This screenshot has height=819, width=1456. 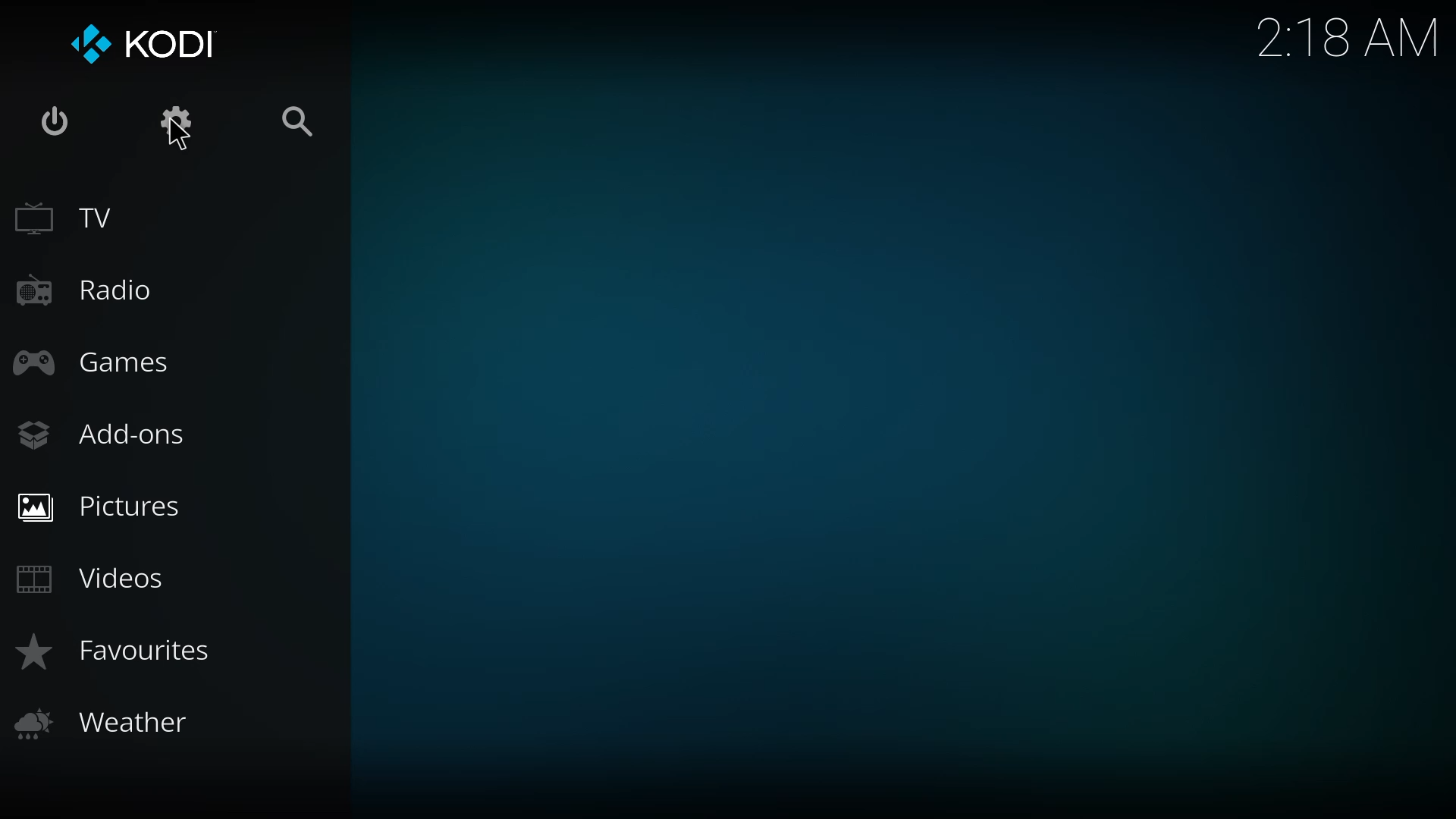 I want to click on time, so click(x=1348, y=34).